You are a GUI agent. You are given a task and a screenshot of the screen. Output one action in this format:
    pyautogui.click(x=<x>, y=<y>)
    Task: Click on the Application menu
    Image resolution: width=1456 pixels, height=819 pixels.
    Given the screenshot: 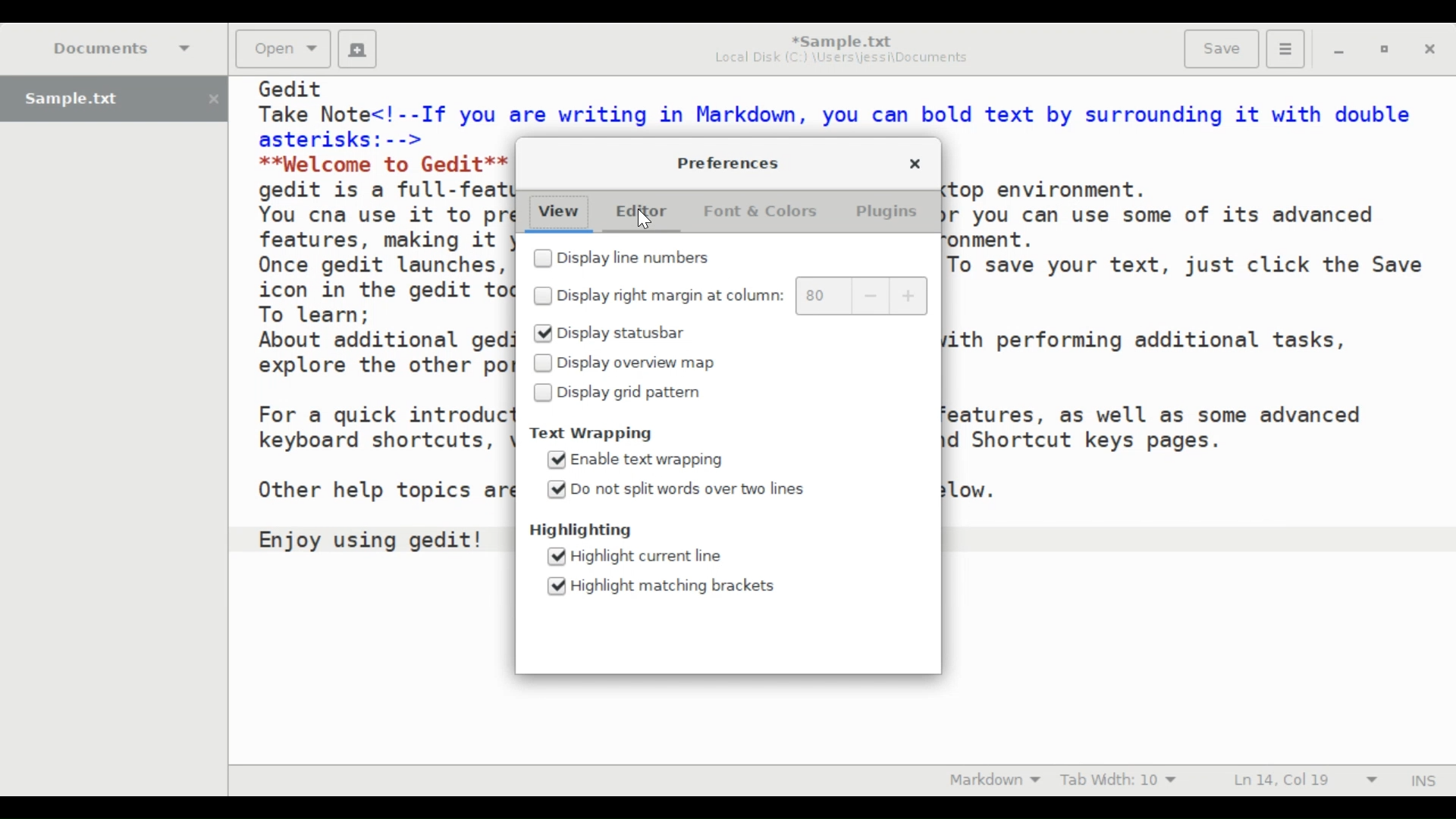 What is the action you would take?
    pyautogui.click(x=1285, y=47)
    